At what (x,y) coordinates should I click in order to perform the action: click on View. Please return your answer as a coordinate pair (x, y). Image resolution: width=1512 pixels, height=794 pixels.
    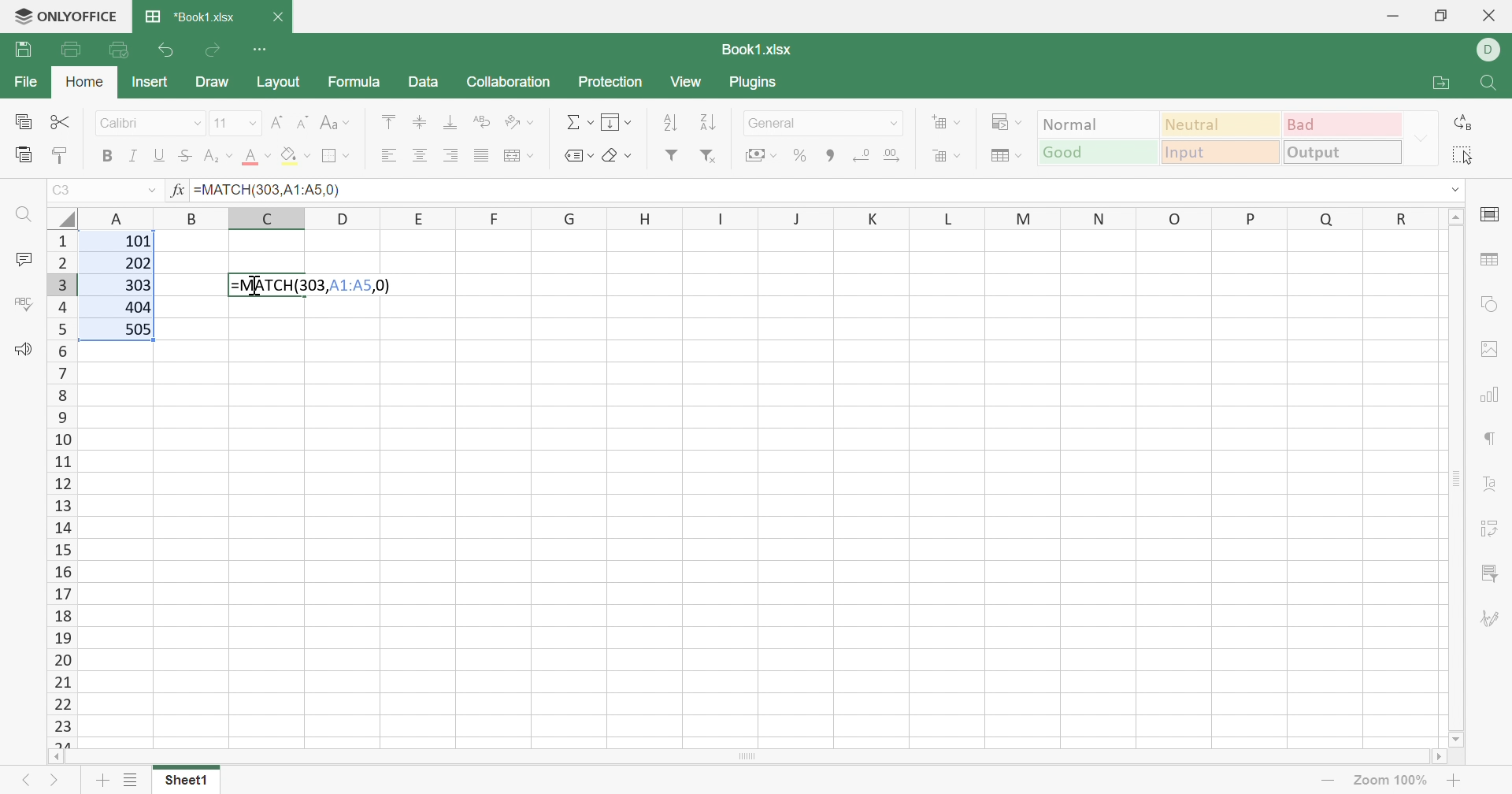
    Looking at the image, I should click on (691, 82).